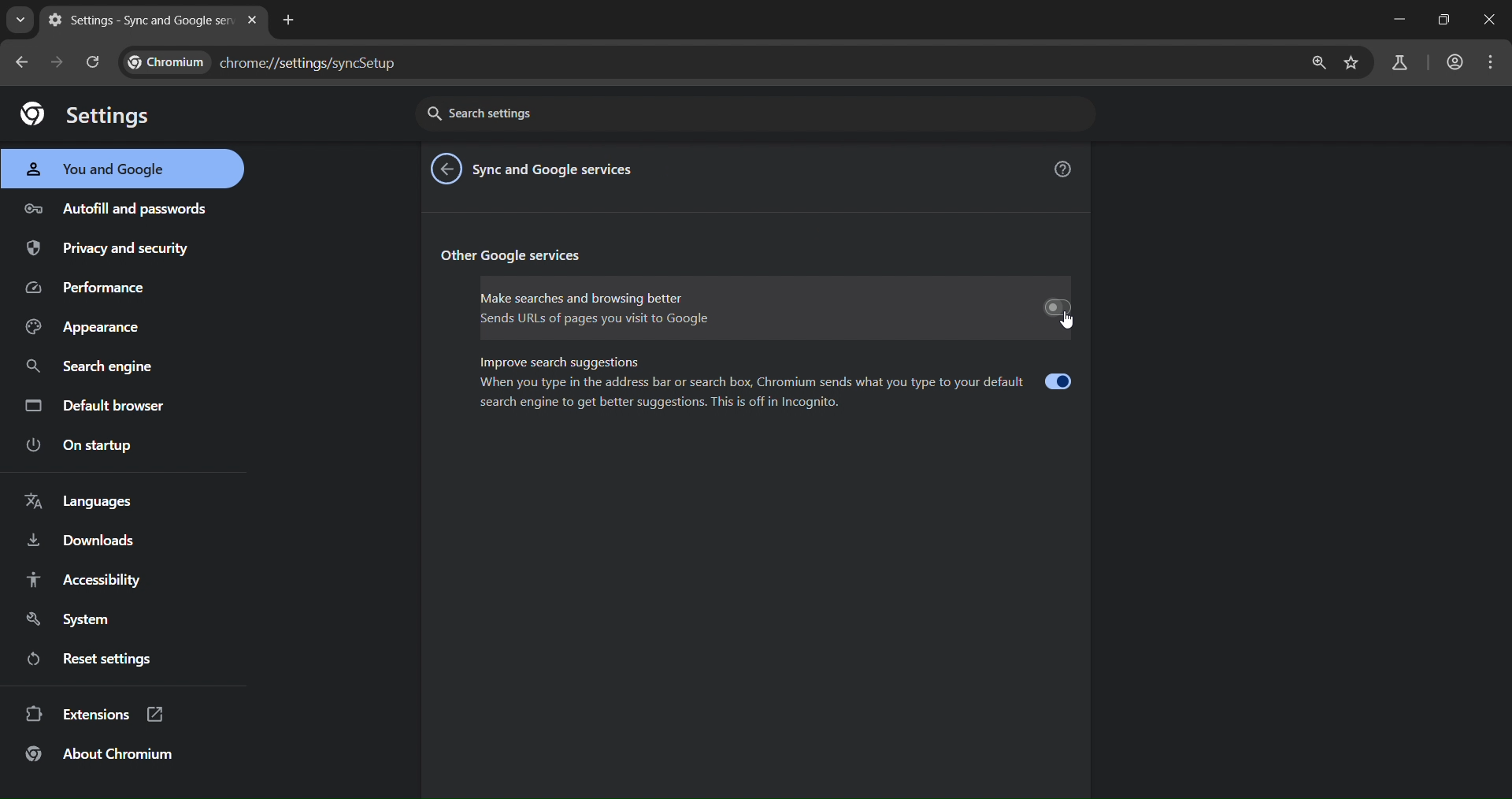 The width and height of the screenshot is (1512, 799). Describe the element at coordinates (61, 62) in the screenshot. I see `go forward one page` at that location.